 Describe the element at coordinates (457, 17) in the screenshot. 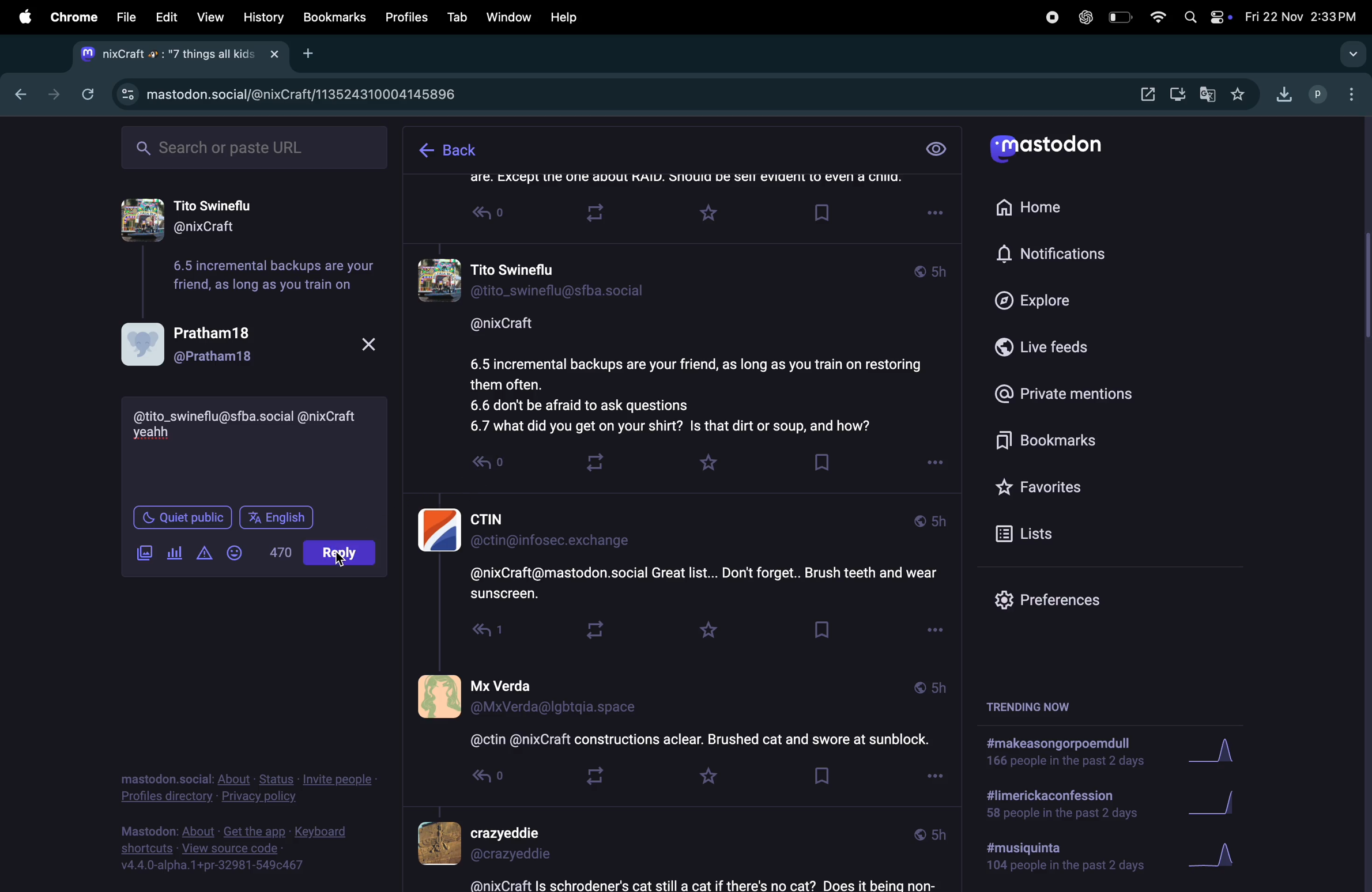

I see `tab` at that location.